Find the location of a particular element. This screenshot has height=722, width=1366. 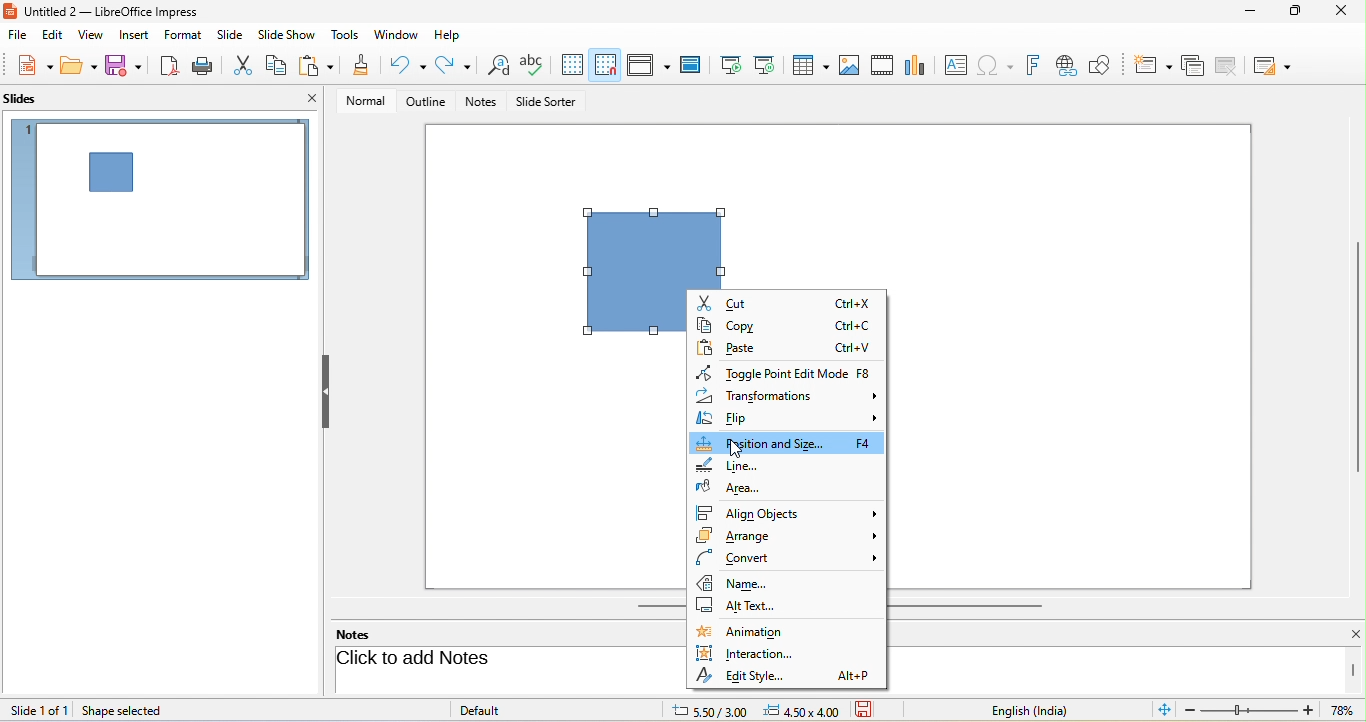

fit slide to current window is located at coordinates (1166, 710).